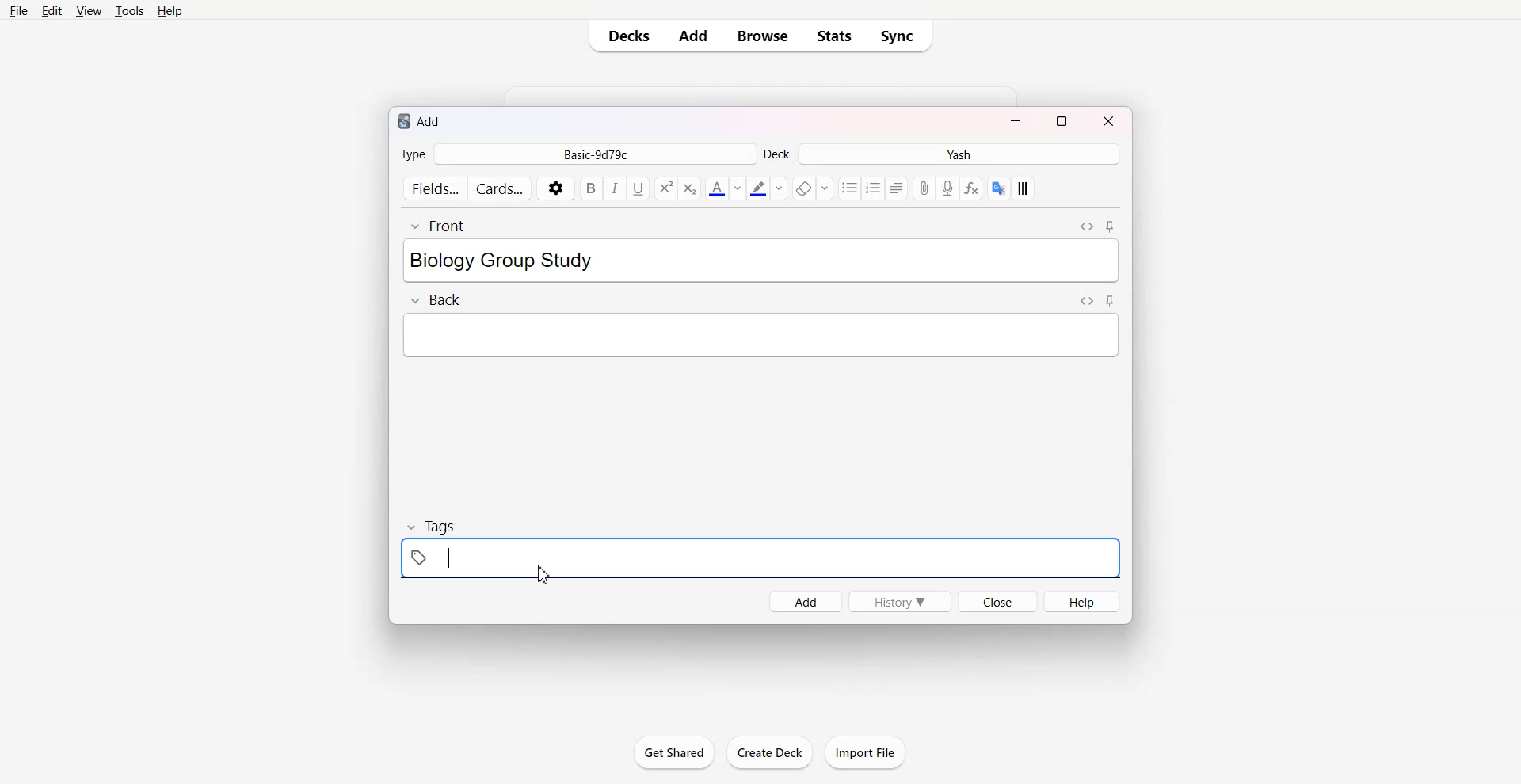 The width and height of the screenshot is (1521, 784). What do you see at coordinates (639, 189) in the screenshot?
I see `Underline` at bounding box center [639, 189].